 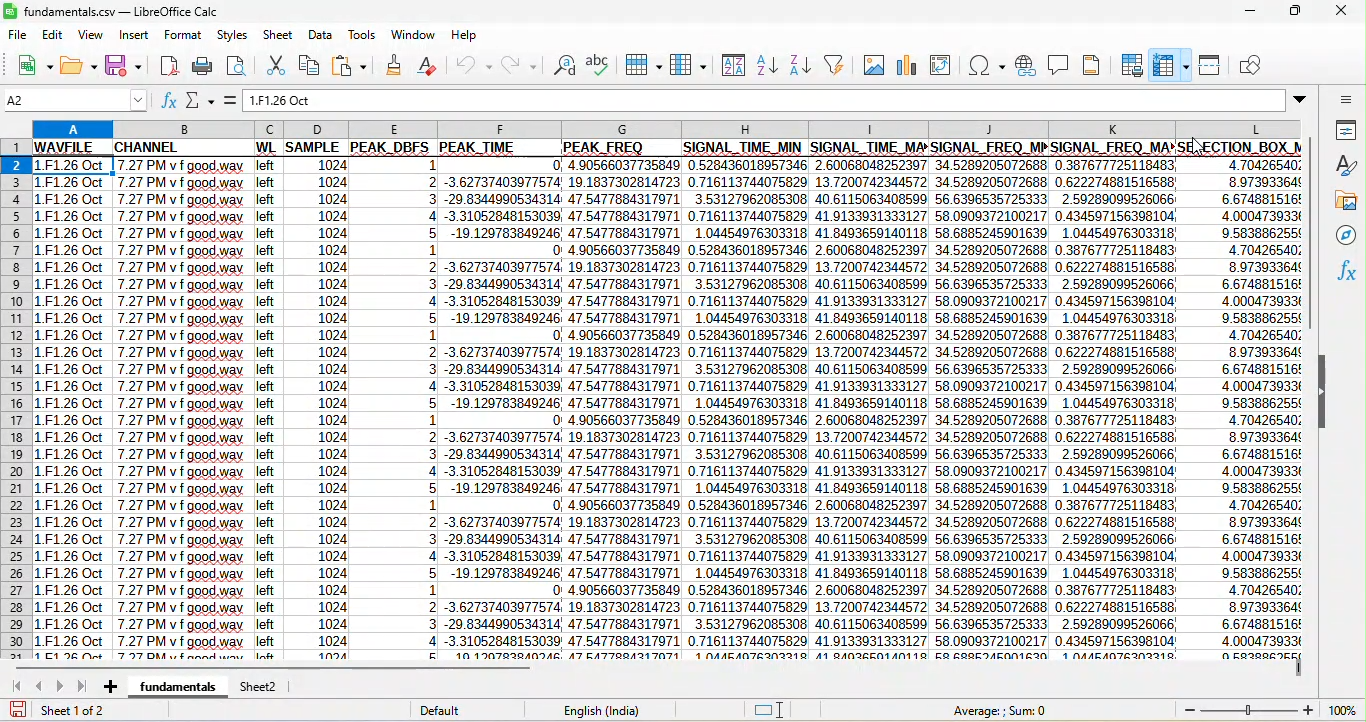 What do you see at coordinates (1132, 65) in the screenshot?
I see `print area` at bounding box center [1132, 65].